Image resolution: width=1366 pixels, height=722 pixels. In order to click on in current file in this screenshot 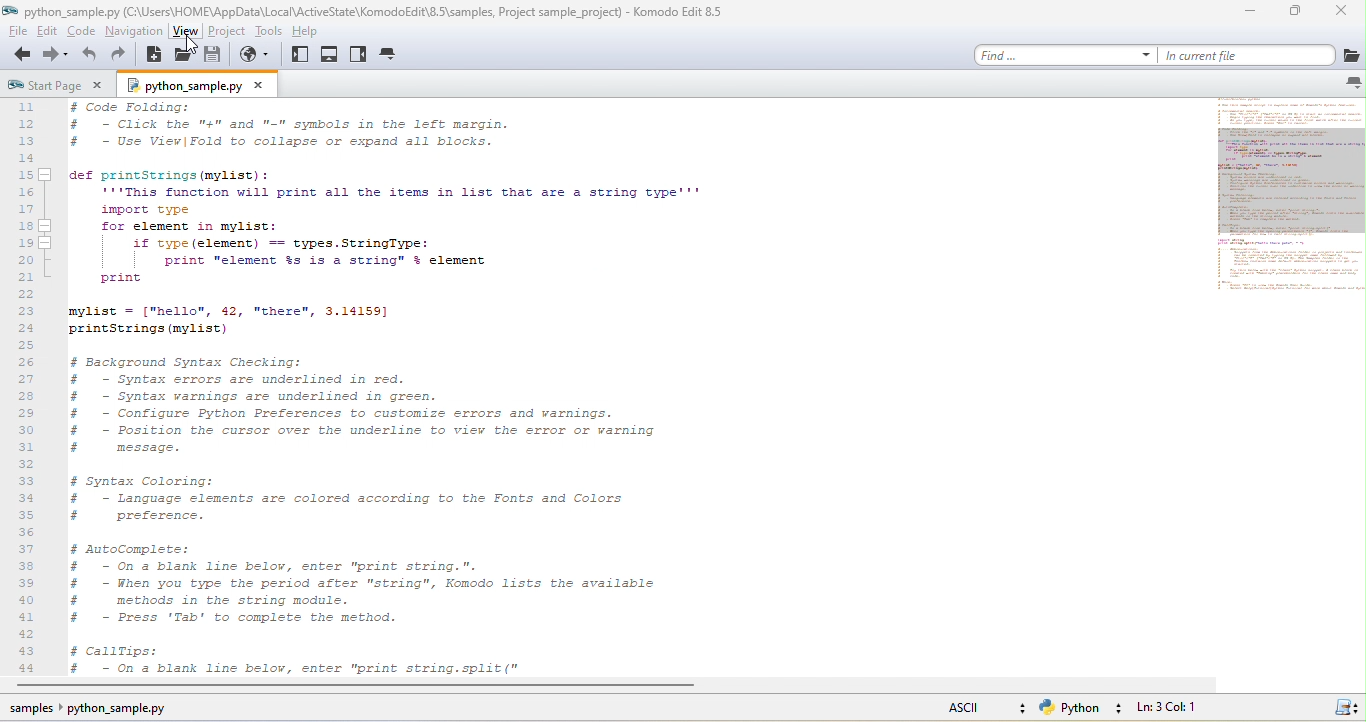, I will do `click(1263, 54)`.